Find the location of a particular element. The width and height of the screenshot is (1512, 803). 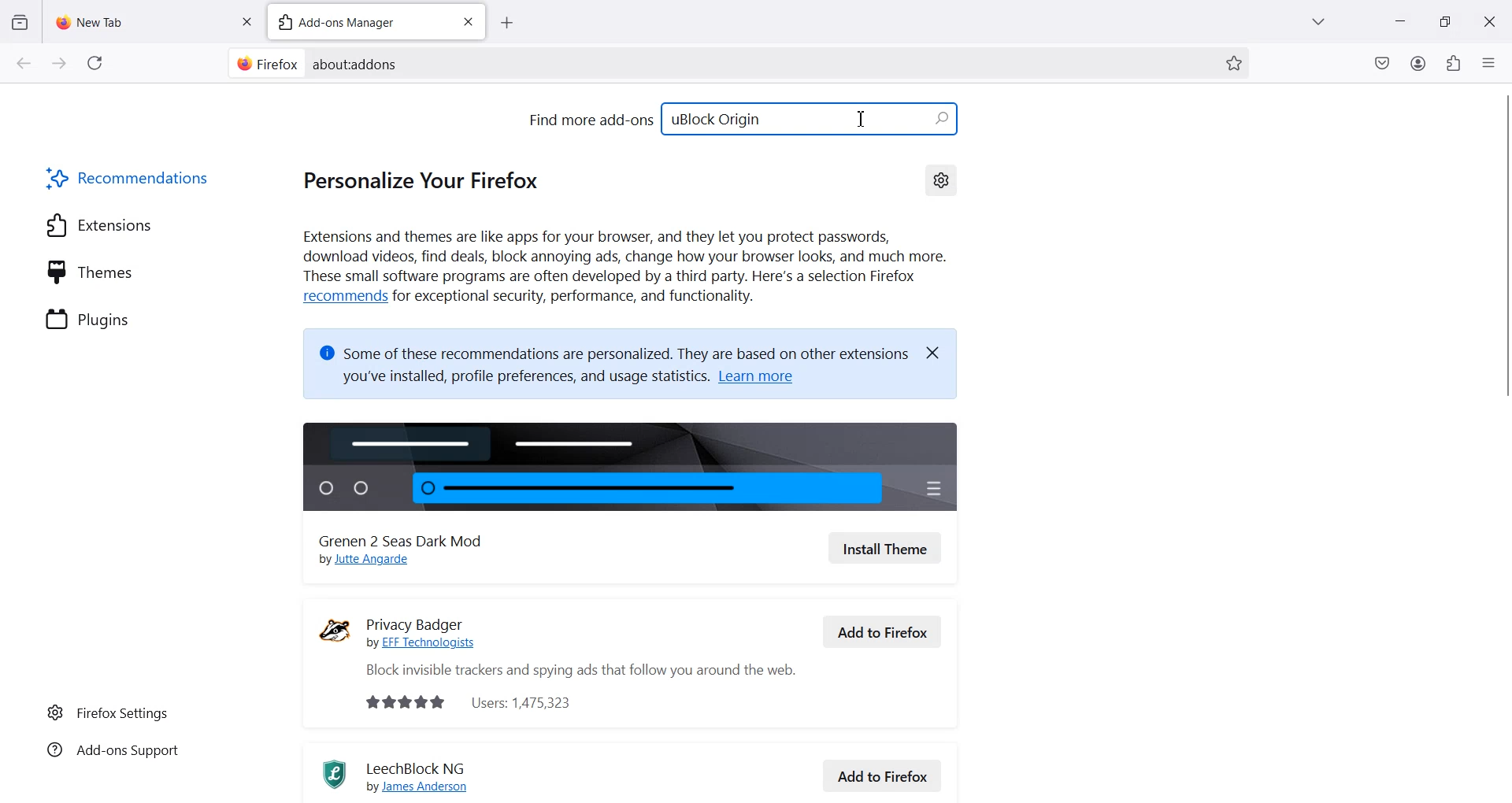

Add to Firefox is located at coordinates (883, 631).